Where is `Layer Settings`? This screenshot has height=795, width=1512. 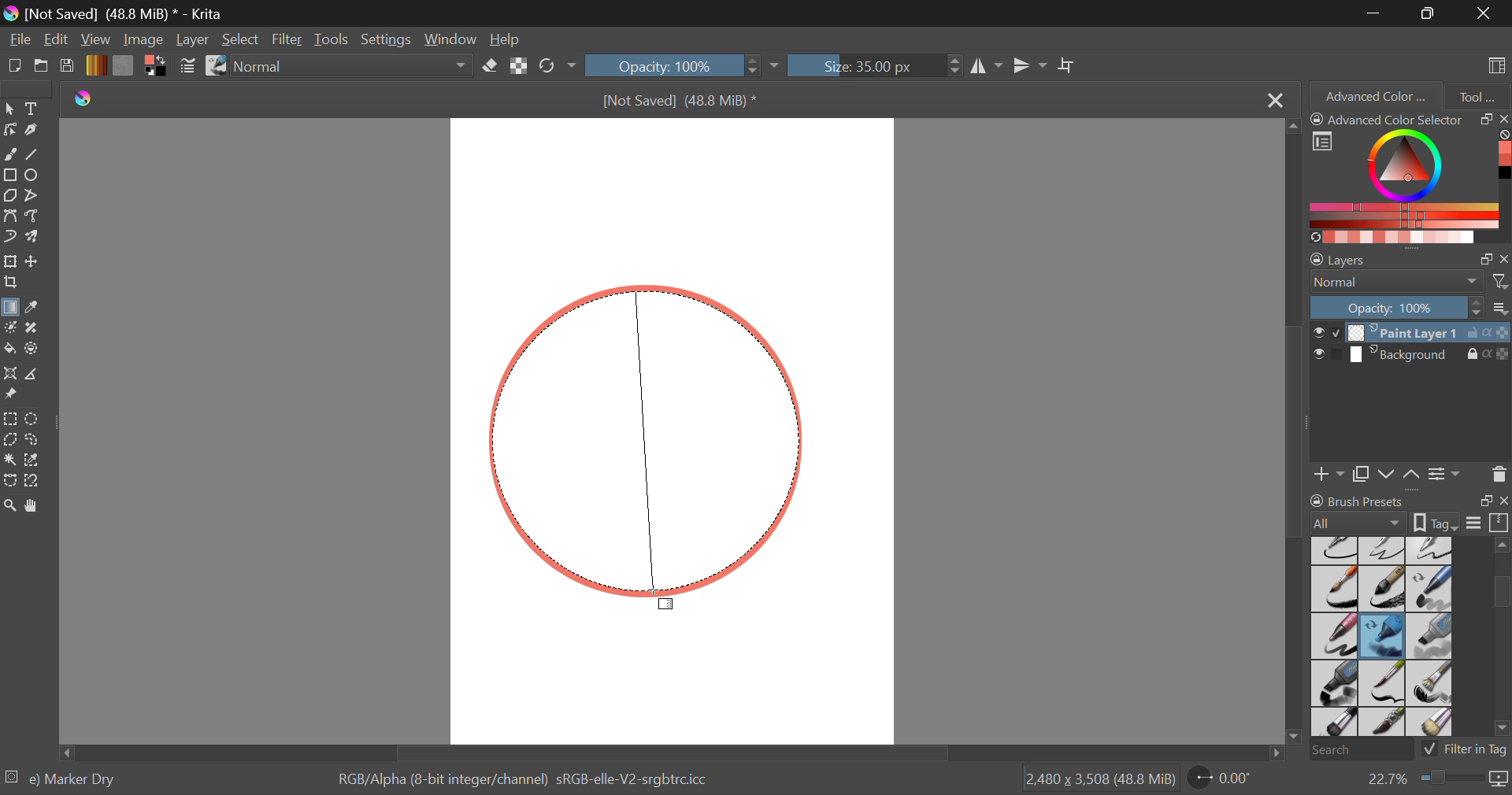 Layer Settings is located at coordinates (1410, 256).